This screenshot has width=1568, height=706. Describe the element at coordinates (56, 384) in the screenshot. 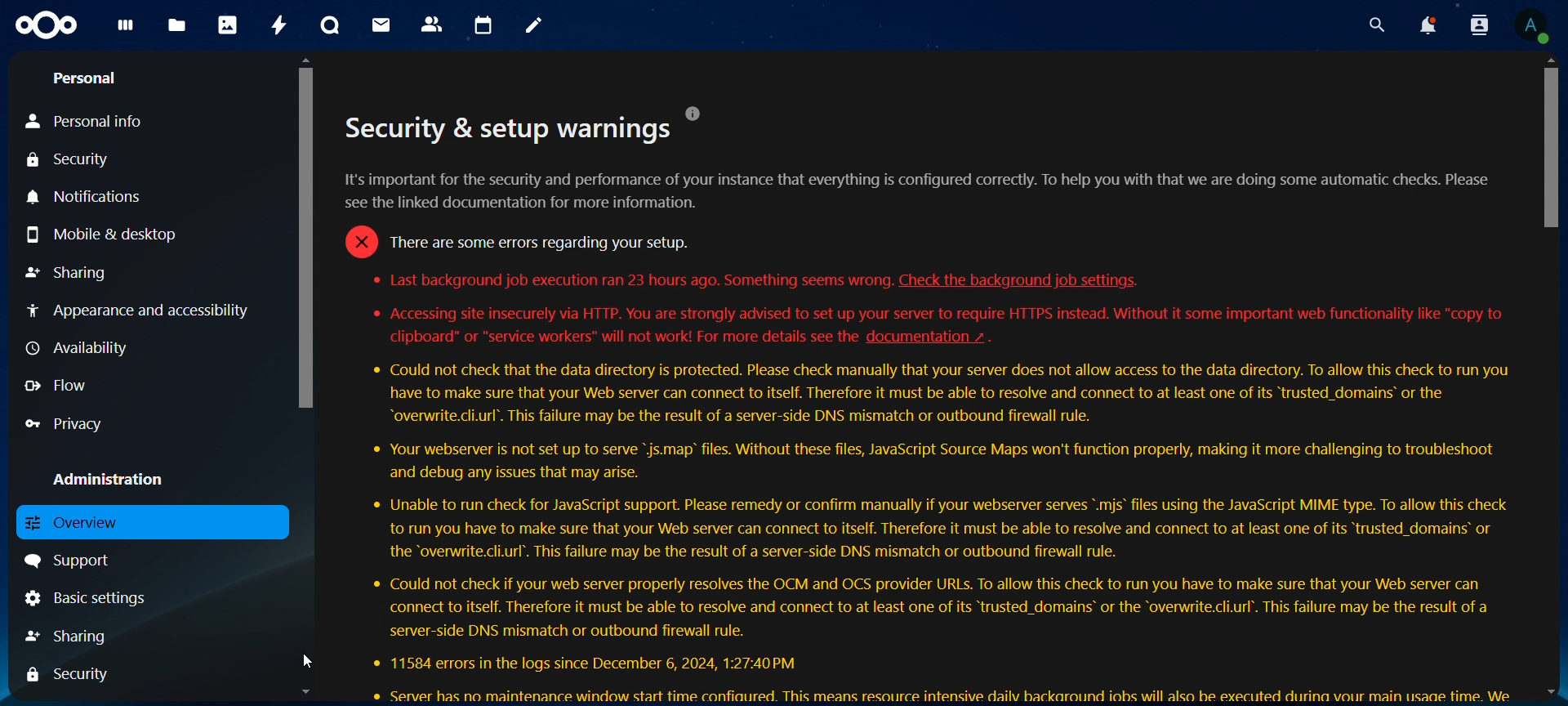

I see `flow` at that location.